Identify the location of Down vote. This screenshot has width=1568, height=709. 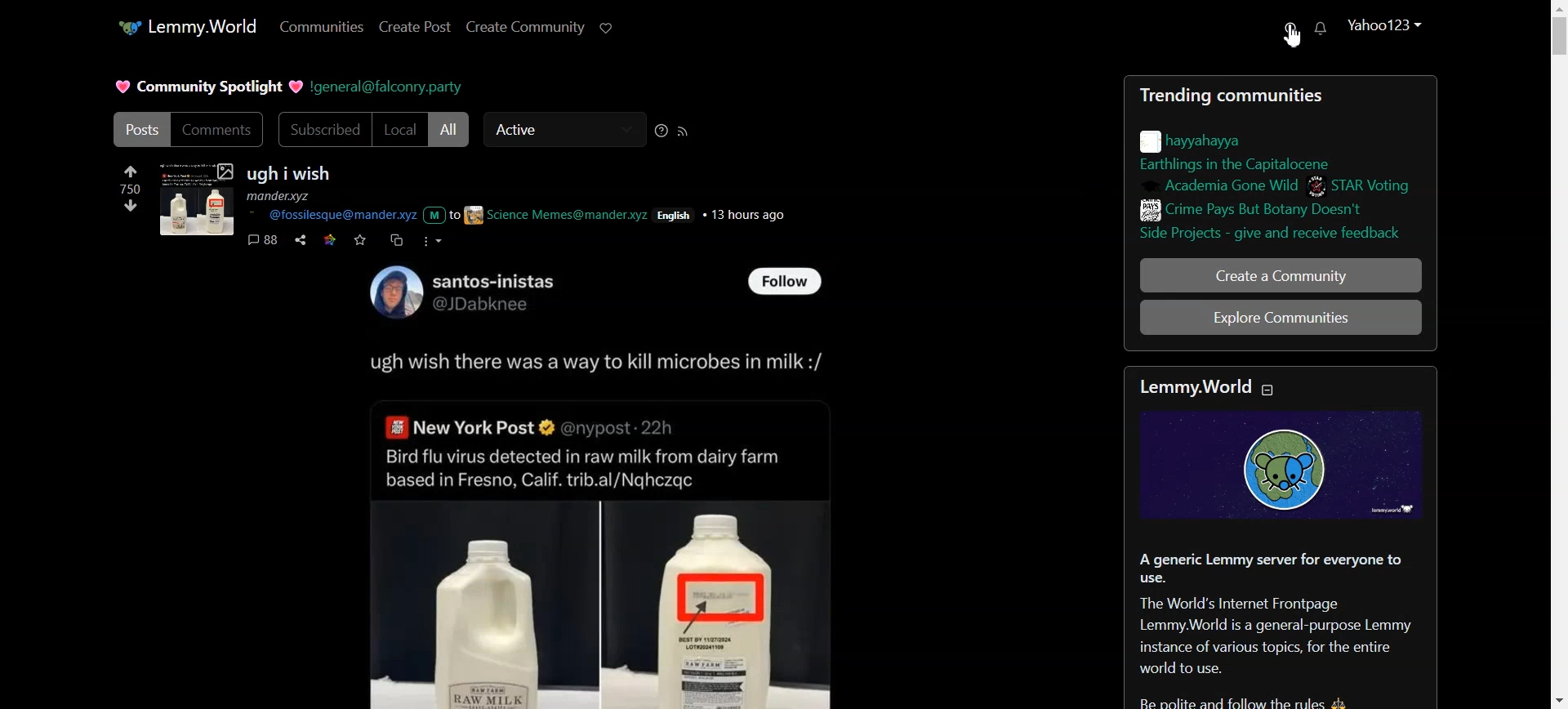
(131, 206).